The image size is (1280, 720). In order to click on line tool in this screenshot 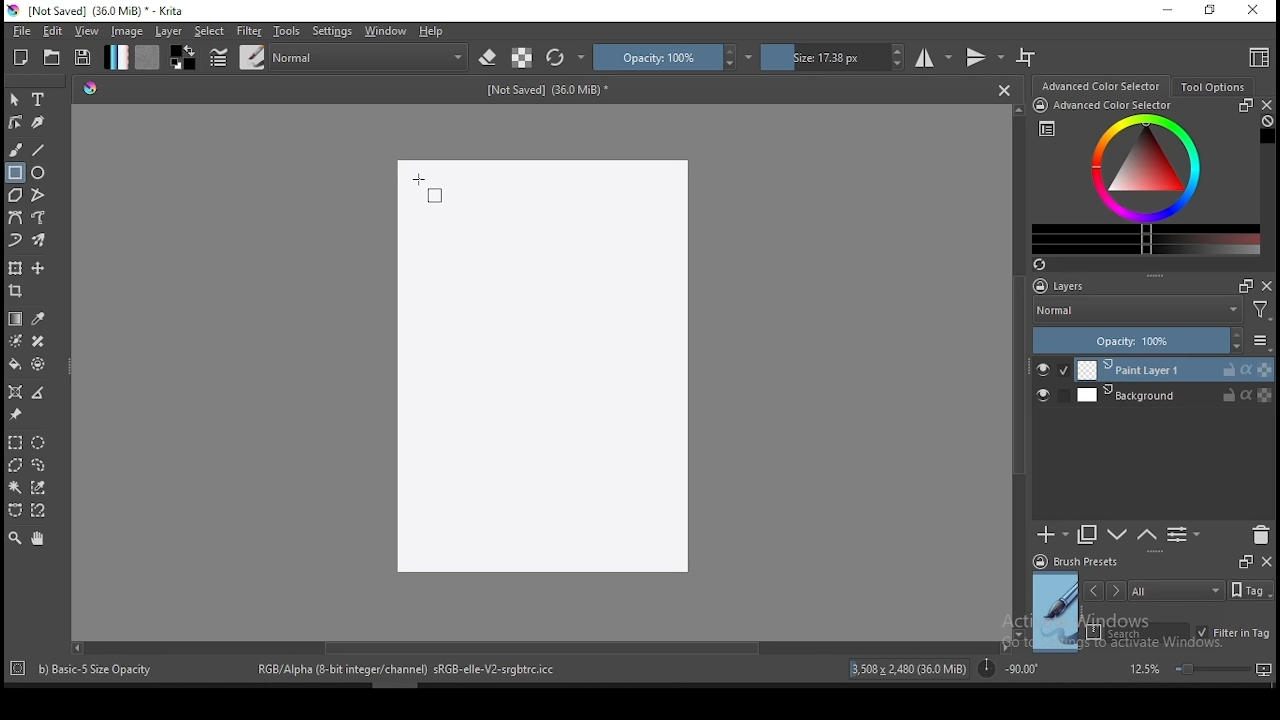, I will do `click(39, 150)`.